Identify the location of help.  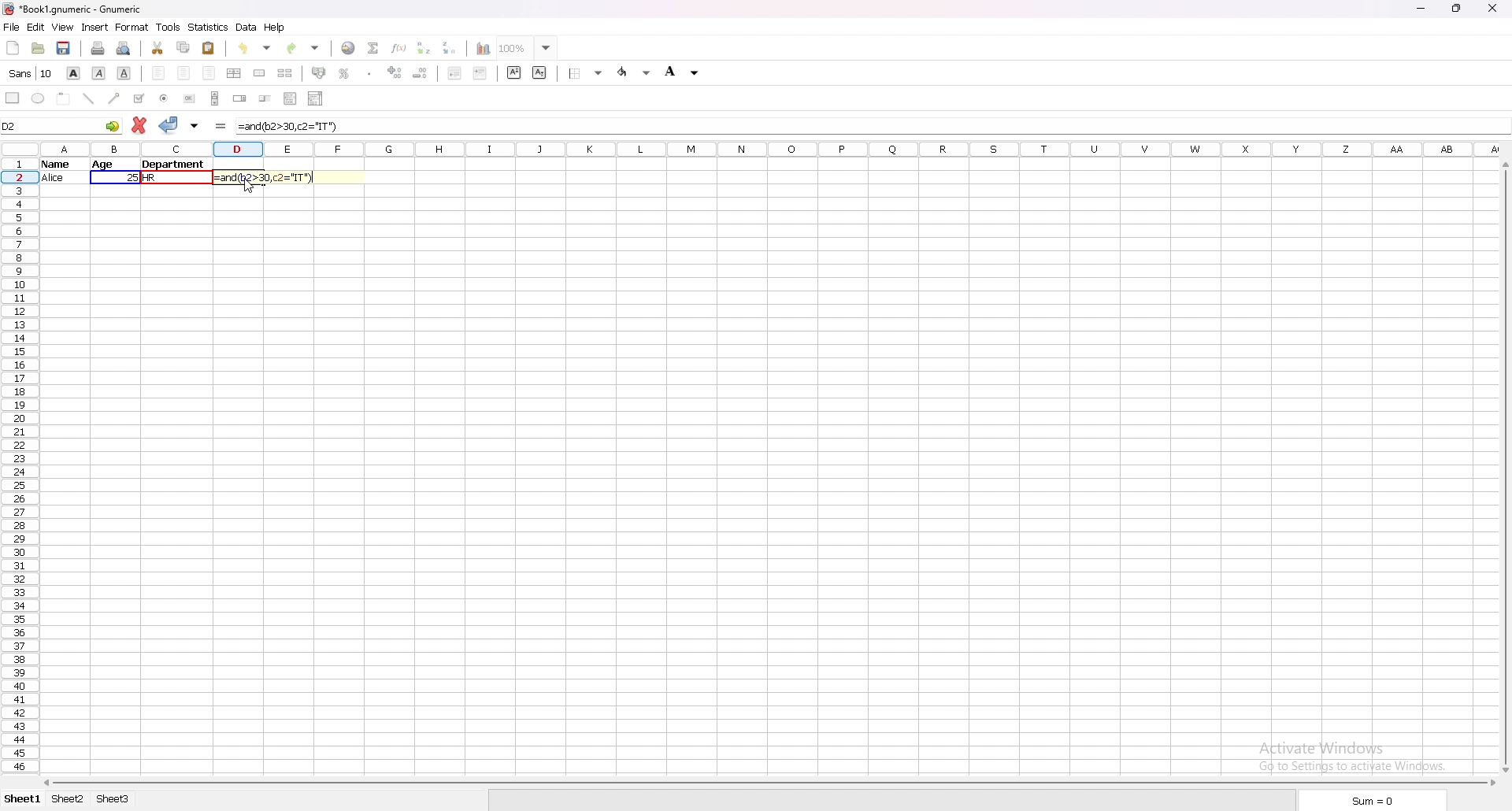
(275, 28).